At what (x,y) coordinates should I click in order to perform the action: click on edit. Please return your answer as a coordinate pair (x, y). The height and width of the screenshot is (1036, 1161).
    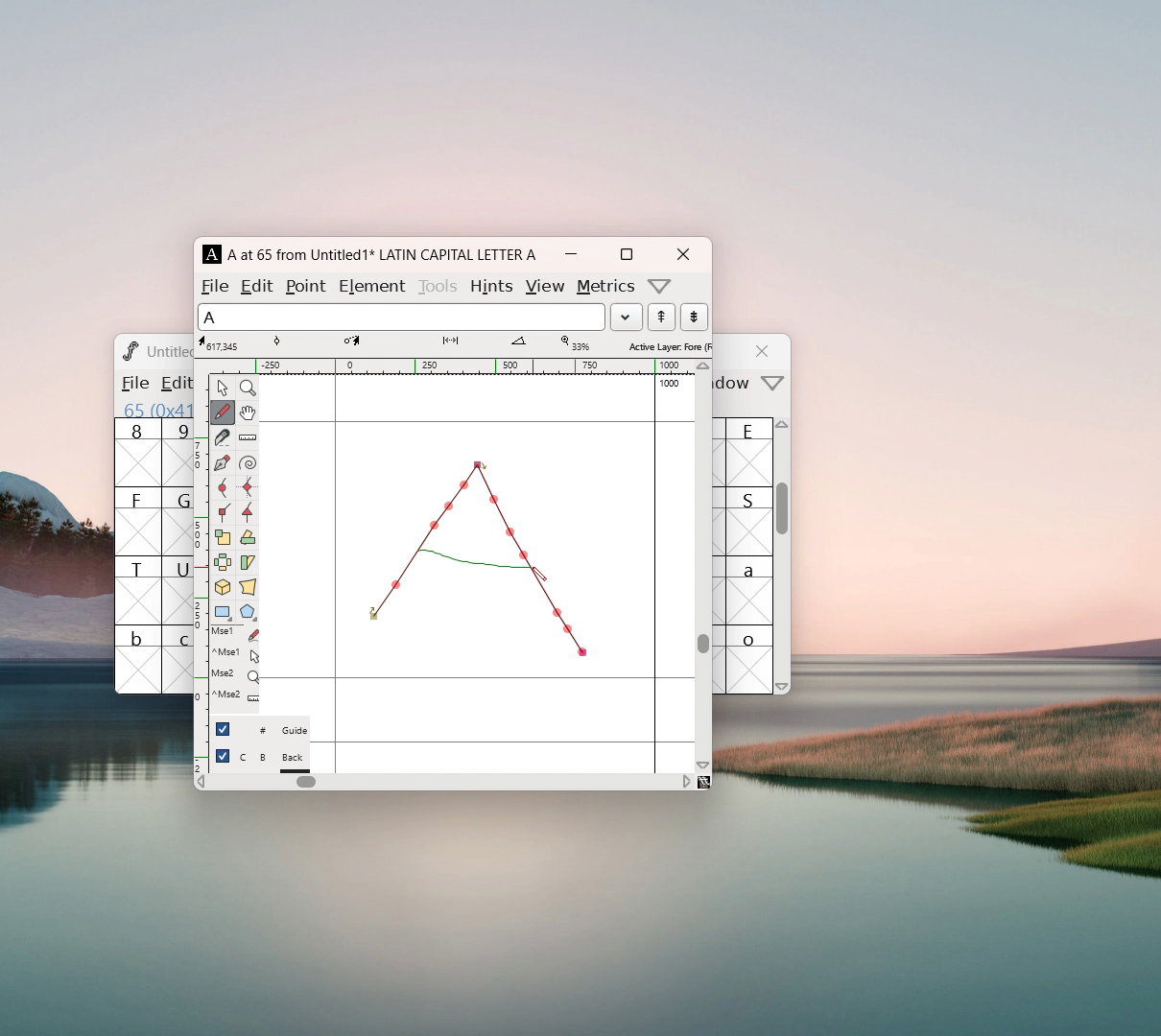
    Looking at the image, I should click on (258, 285).